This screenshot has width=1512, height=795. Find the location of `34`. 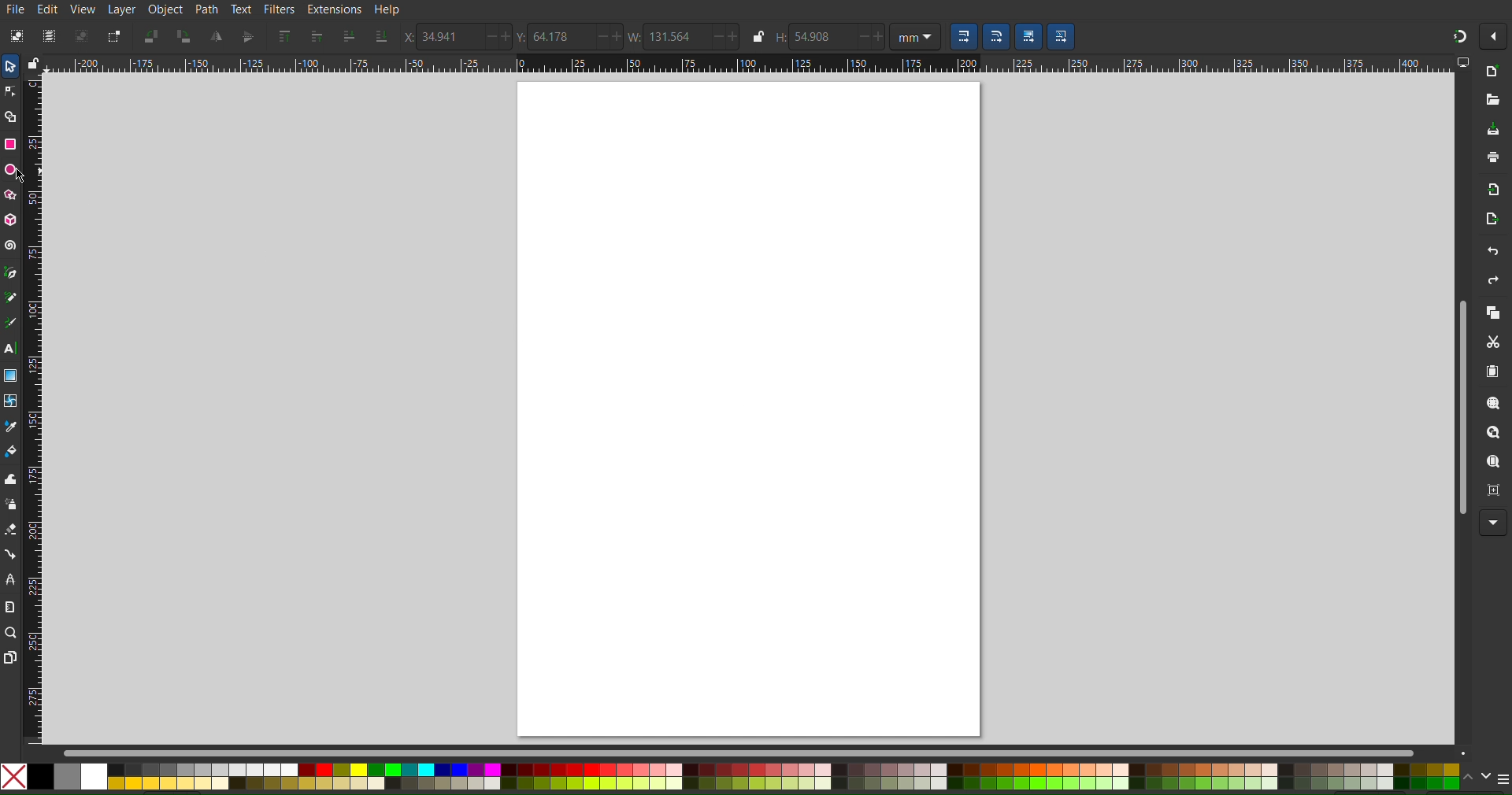

34 is located at coordinates (447, 35).